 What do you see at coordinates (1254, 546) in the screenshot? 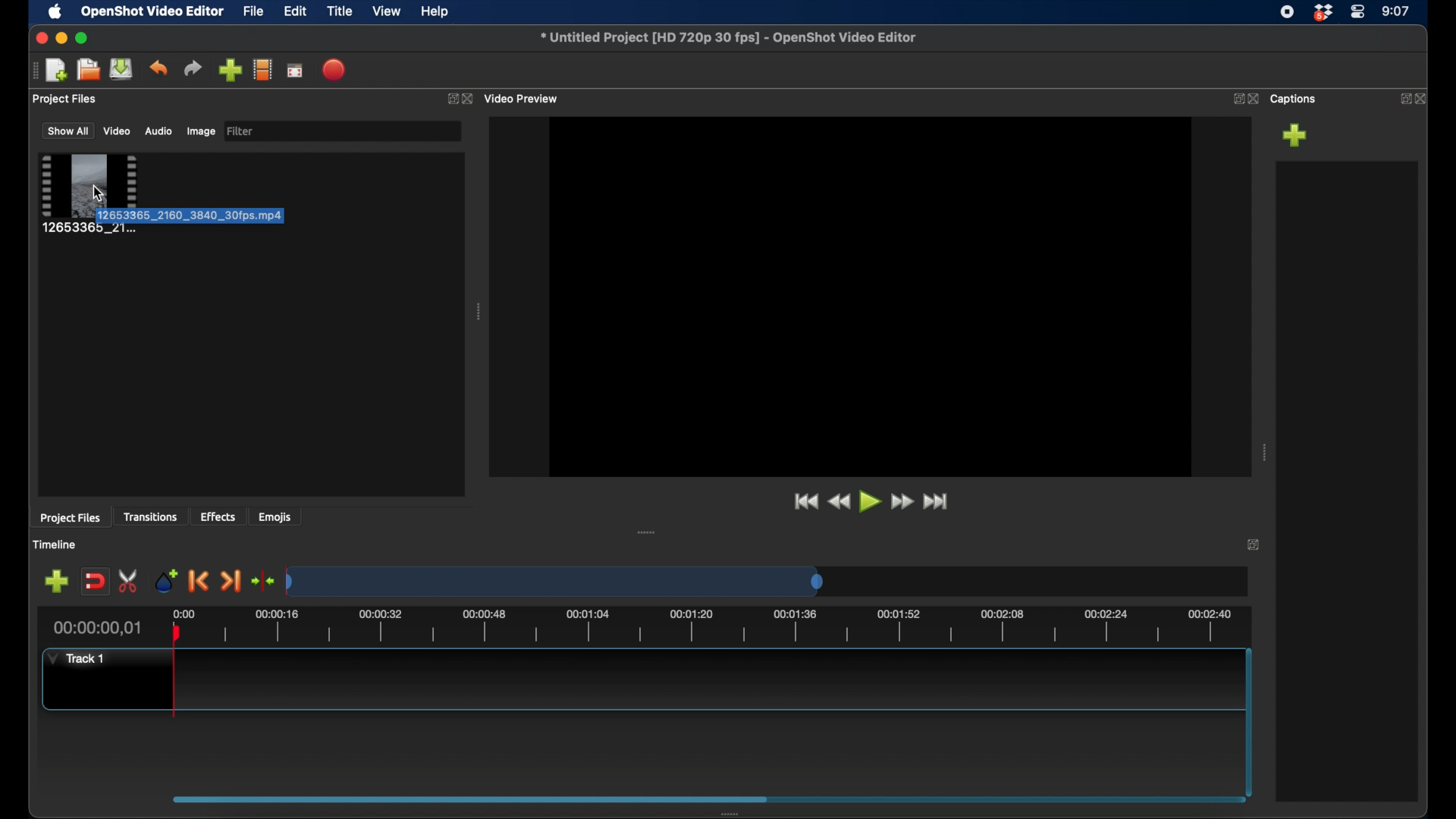
I see `expand` at bounding box center [1254, 546].